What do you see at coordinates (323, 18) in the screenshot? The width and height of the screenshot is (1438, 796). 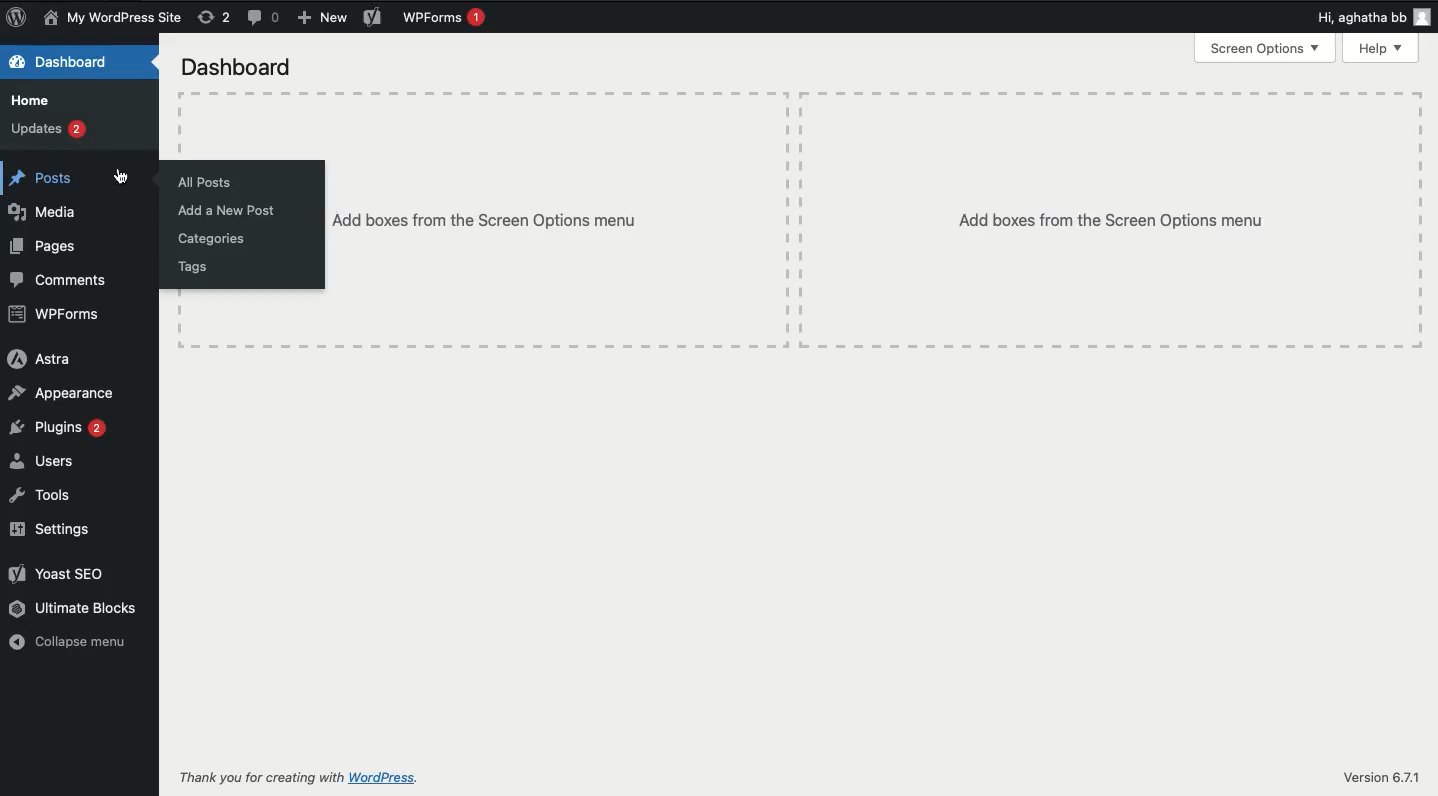 I see `New` at bounding box center [323, 18].